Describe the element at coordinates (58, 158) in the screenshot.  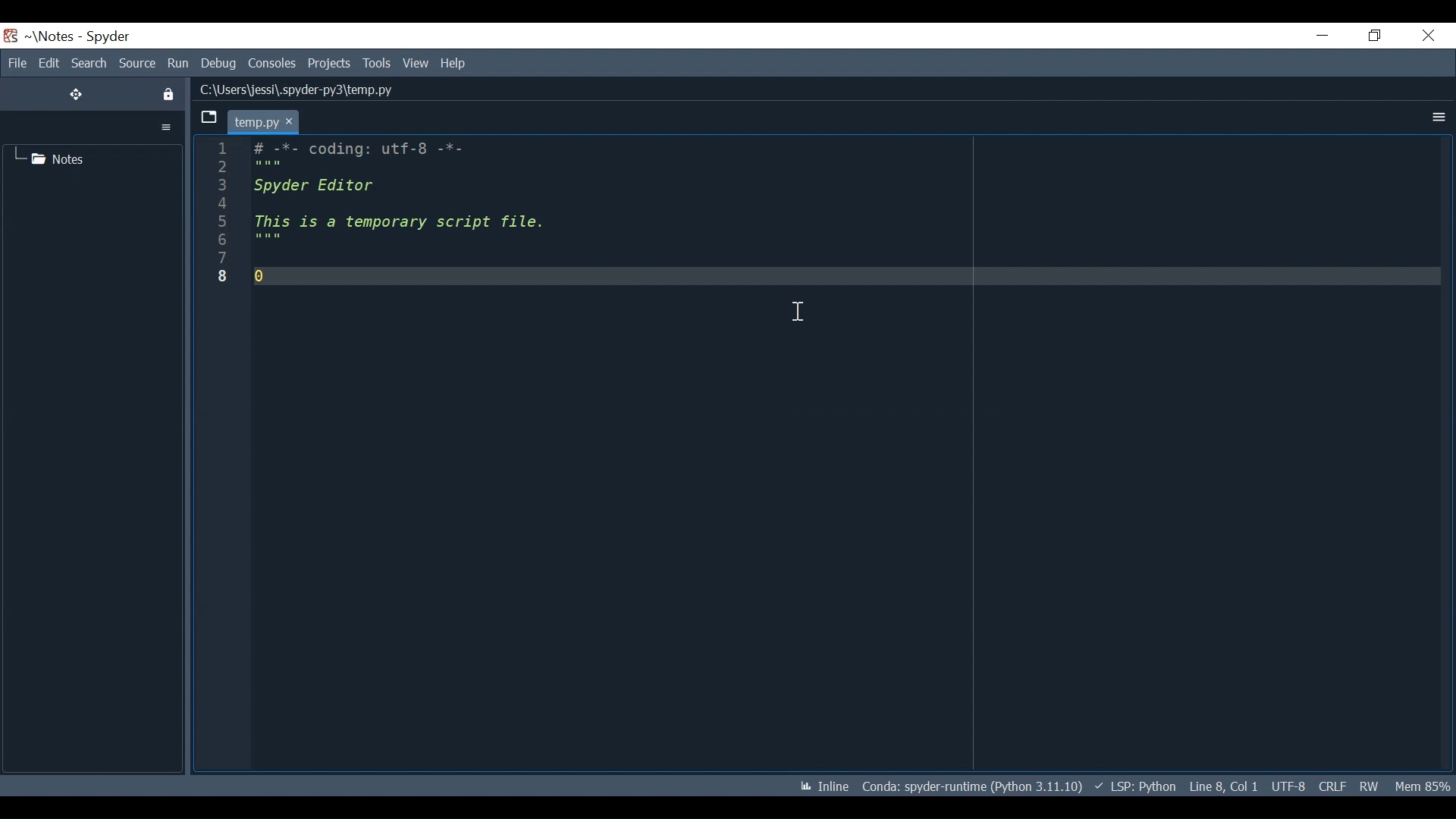
I see `Project Folder` at that location.